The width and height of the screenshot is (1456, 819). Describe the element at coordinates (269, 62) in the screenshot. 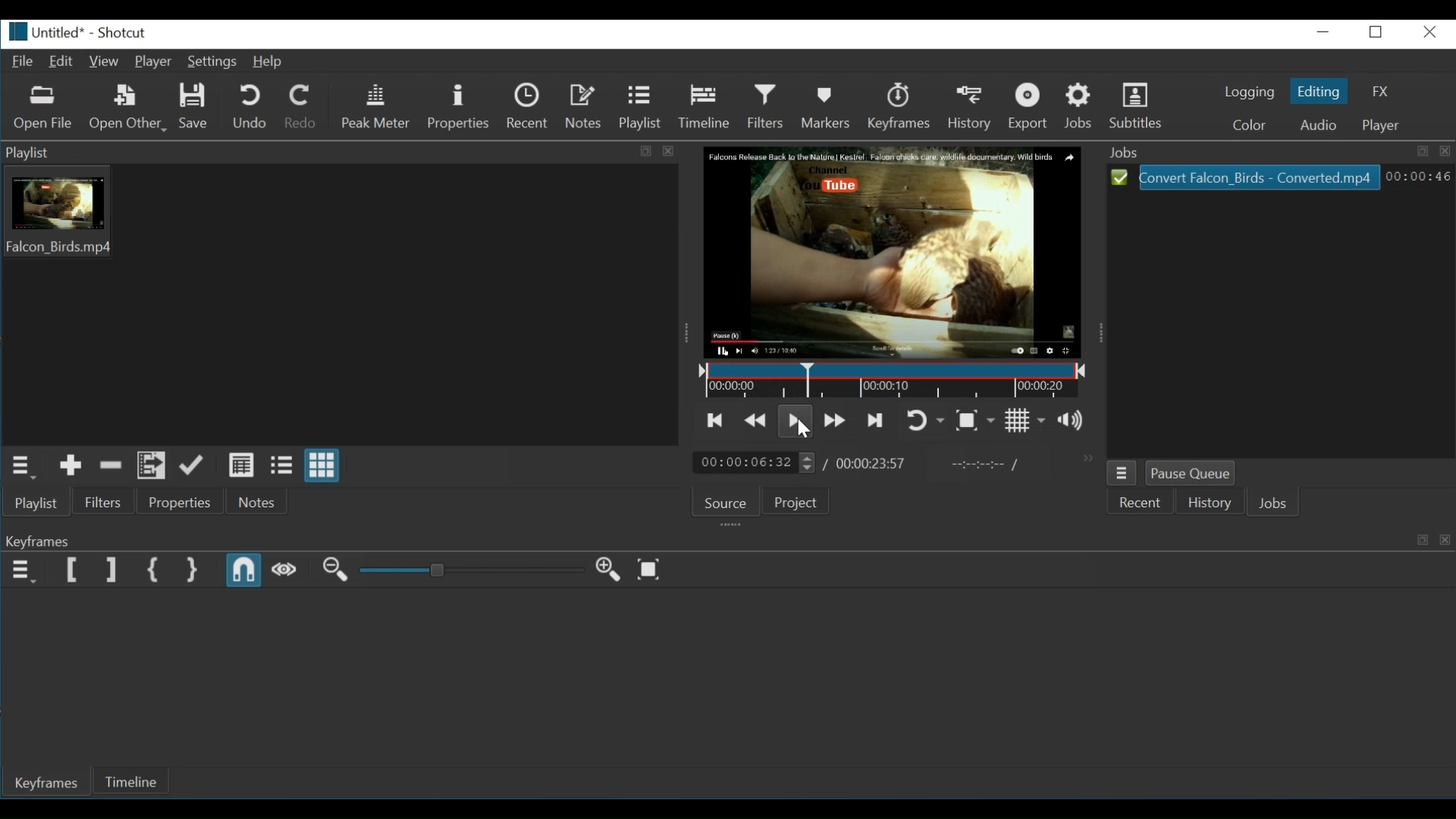

I see `Help` at that location.